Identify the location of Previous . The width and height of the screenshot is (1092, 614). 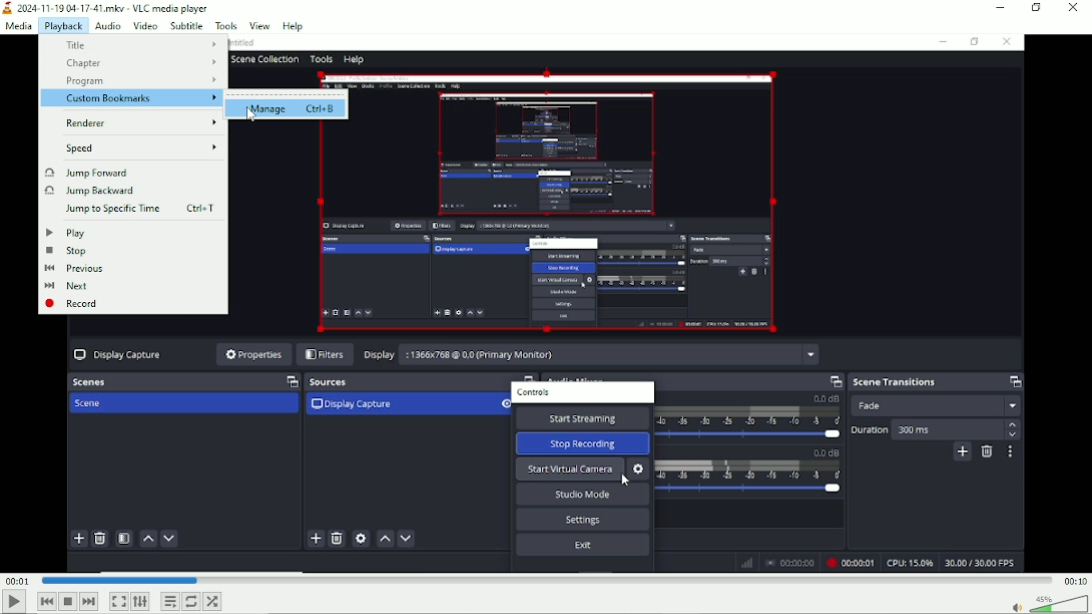
(73, 268).